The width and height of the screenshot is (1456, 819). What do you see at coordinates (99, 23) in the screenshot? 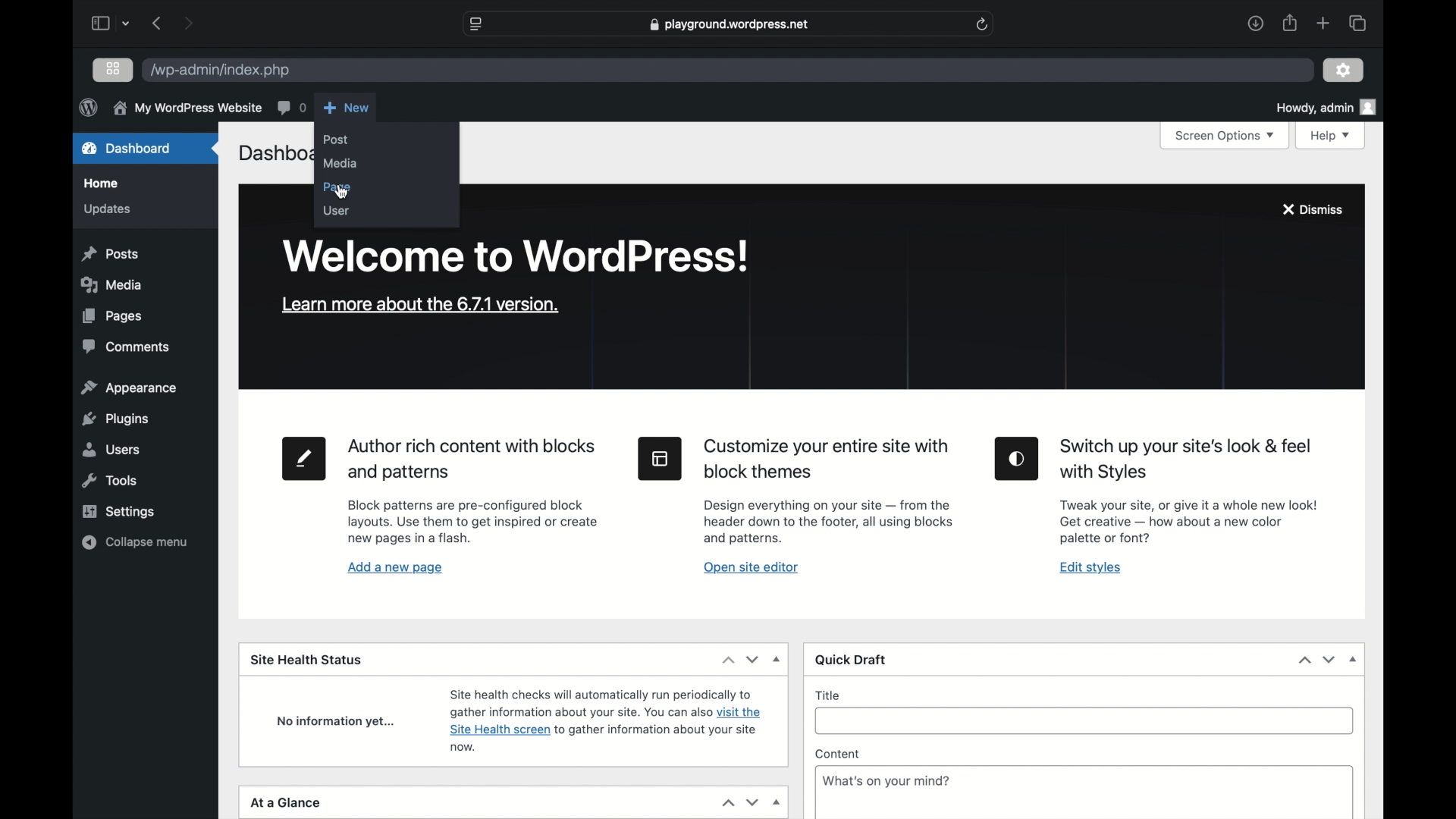
I see `sidebar` at bounding box center [99, 23].